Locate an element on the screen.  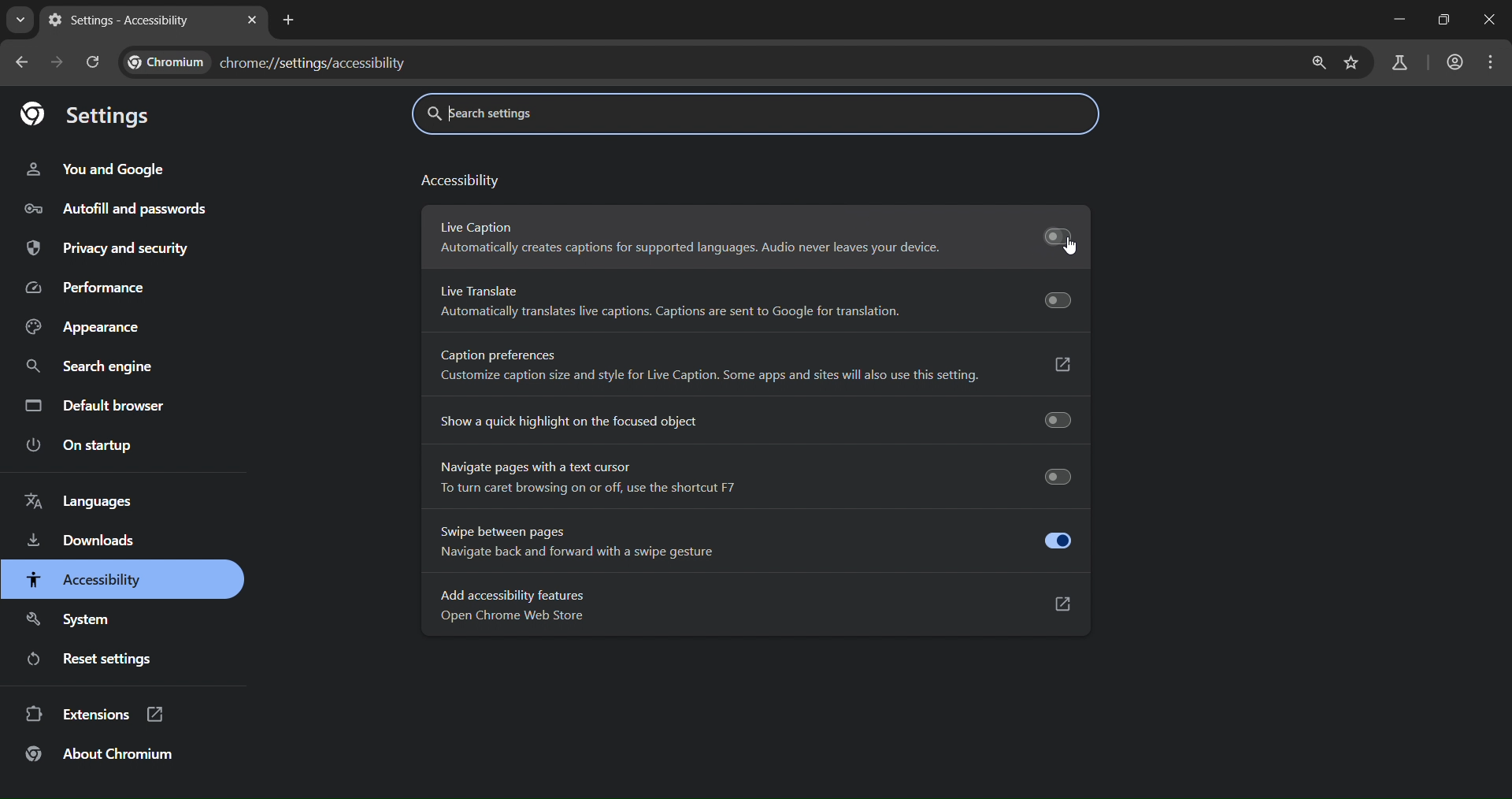
minimize is located at coordinates (1398, 17).